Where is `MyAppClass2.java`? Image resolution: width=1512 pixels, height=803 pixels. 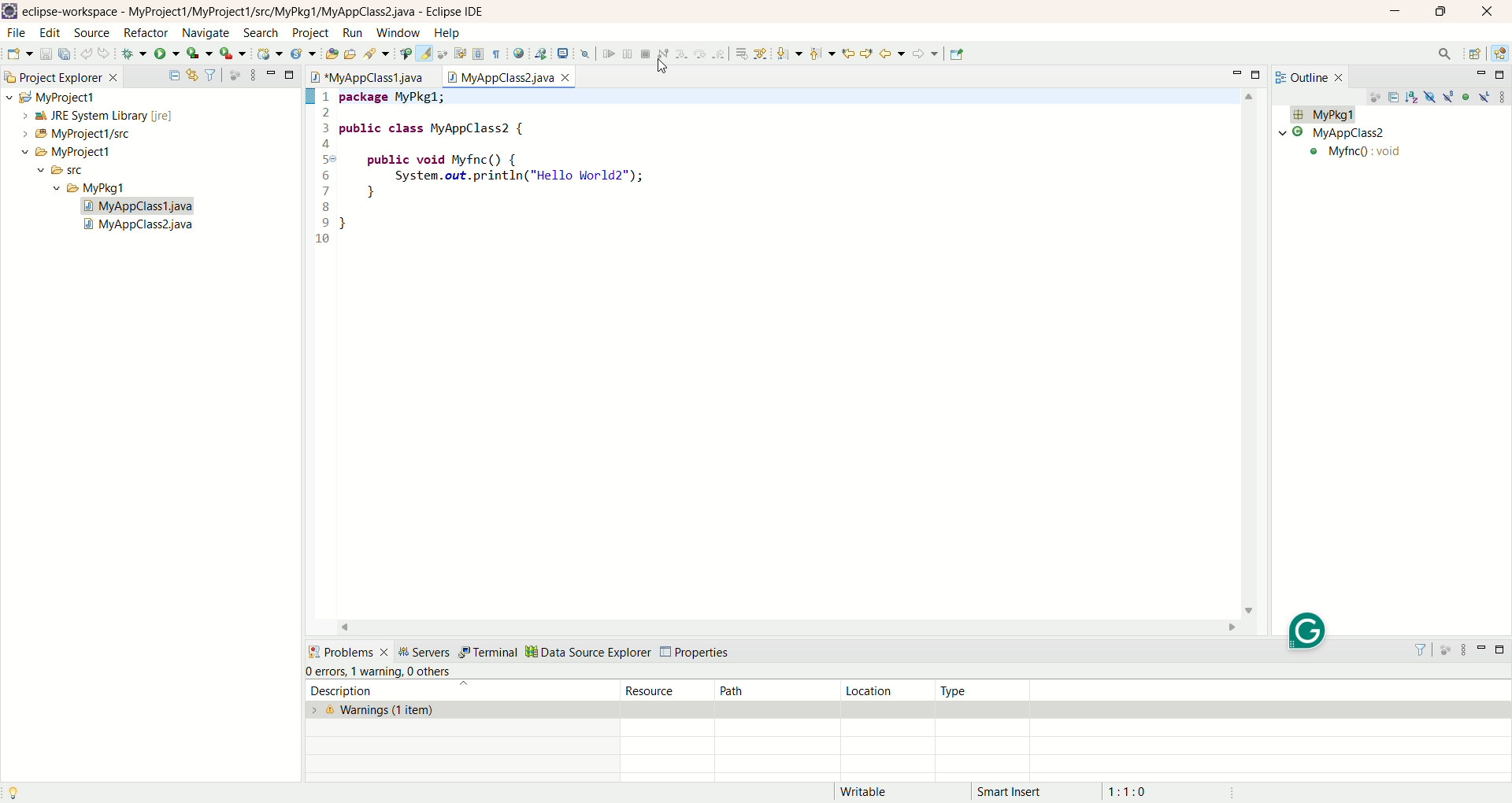
MyAppClass2.java is located at coordinates (509, 75).